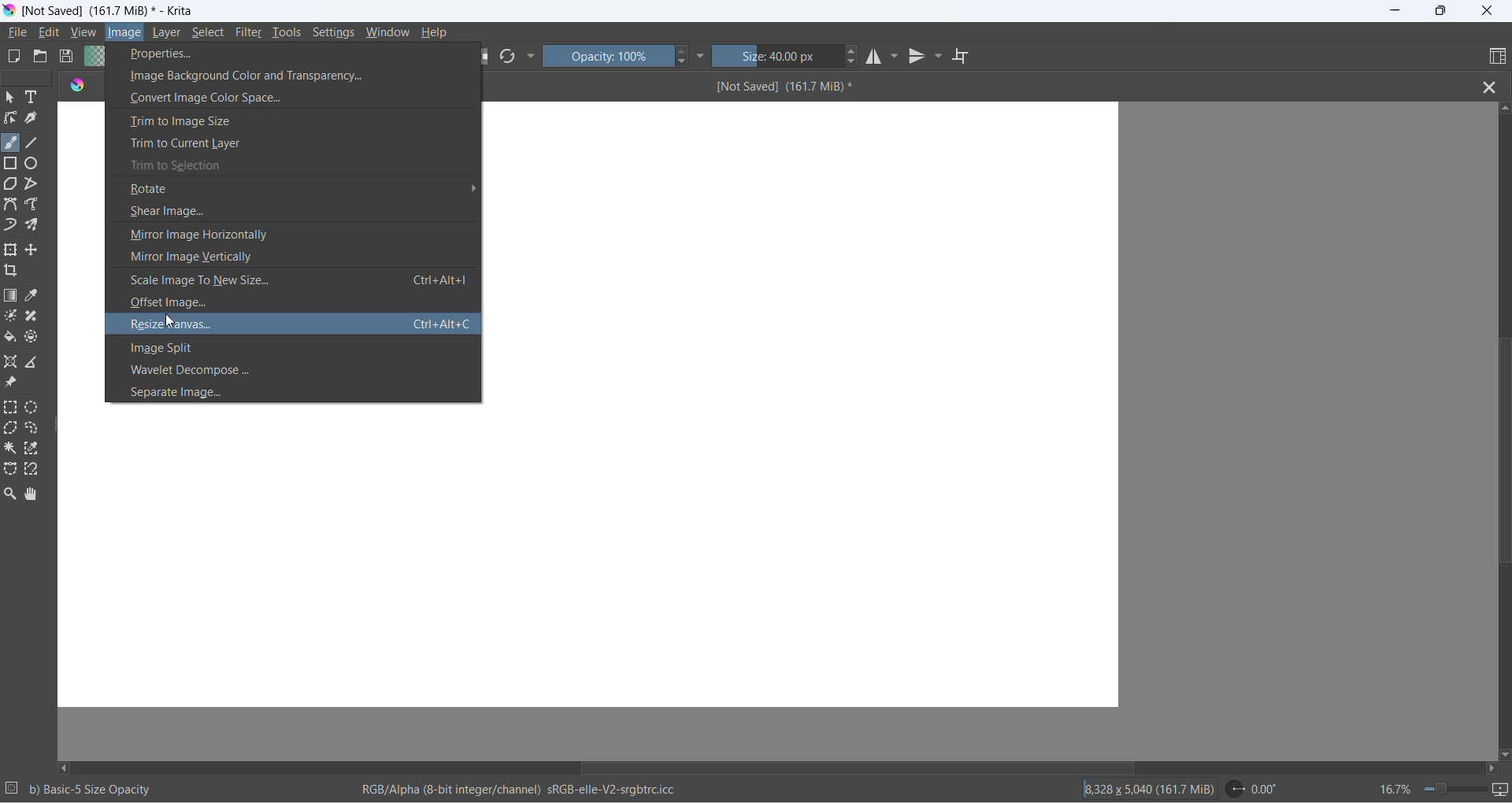 This screenshot has height=803, width=1512. Describe the element at coordinates (32, 185) in the screenshot. I see `polyline tool` at that location.